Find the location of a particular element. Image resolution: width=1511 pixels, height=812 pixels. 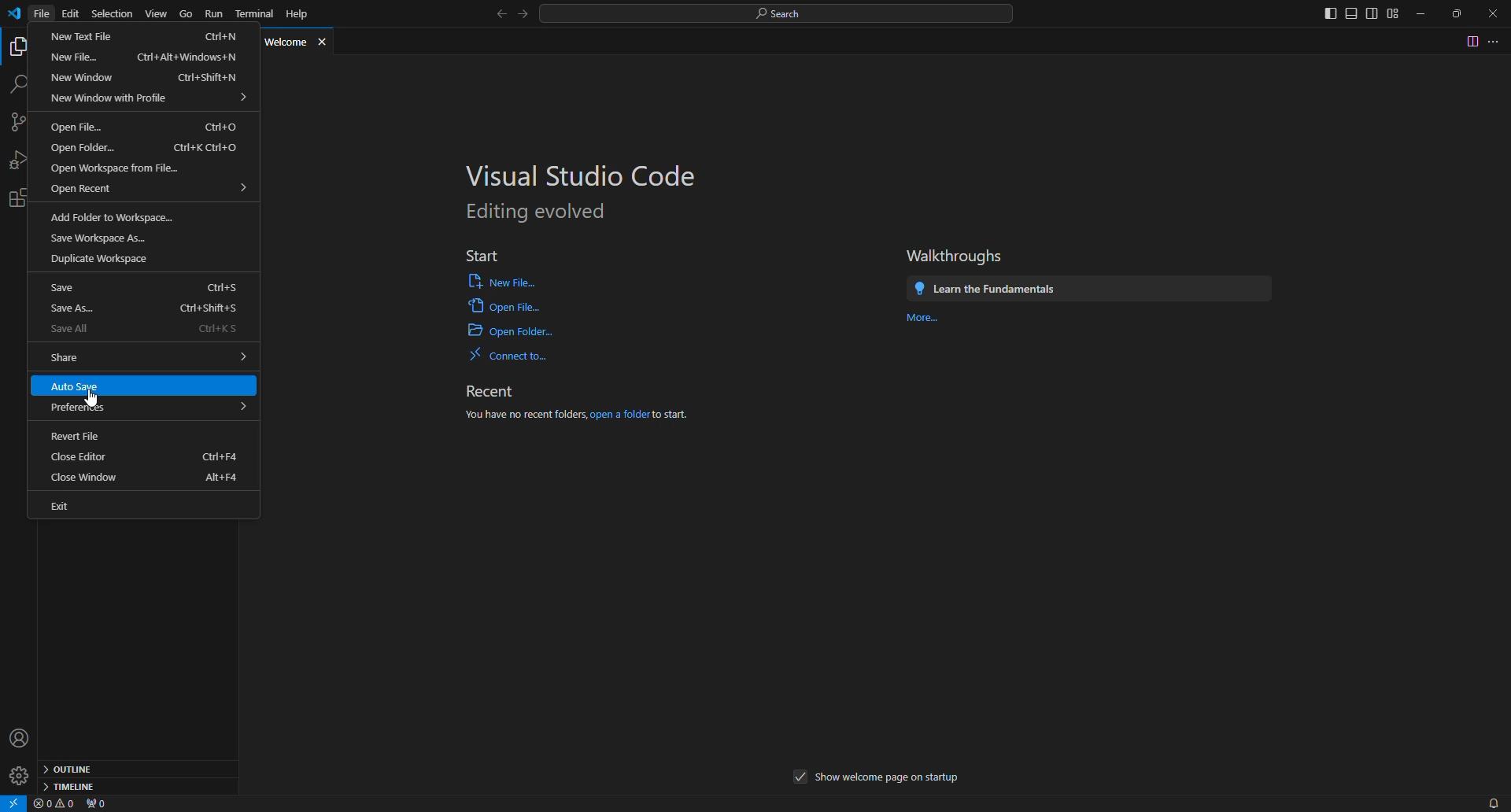

expand is located at coordinates (242, 188).